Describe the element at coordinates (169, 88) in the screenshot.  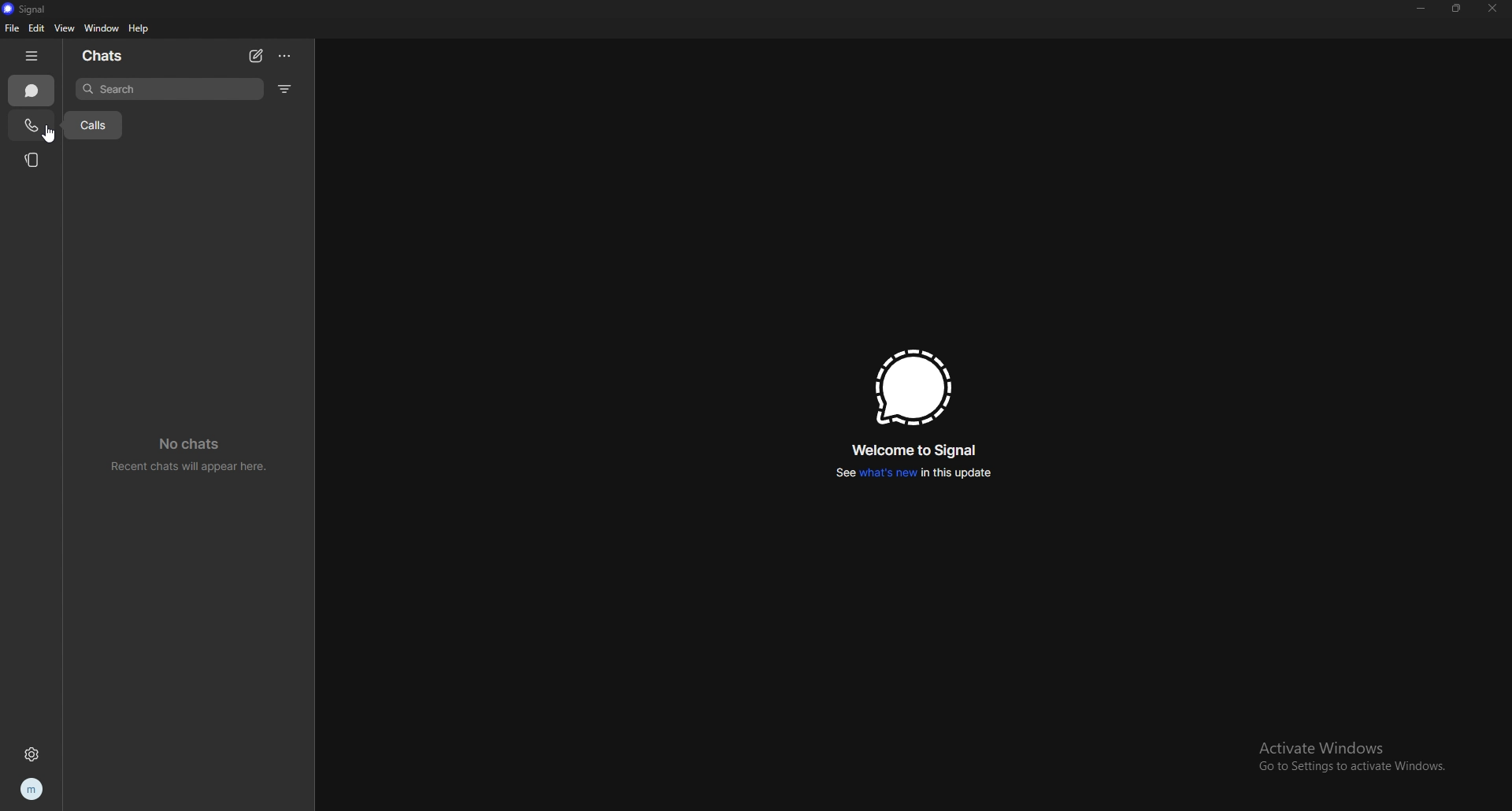
I see `search` at that location.